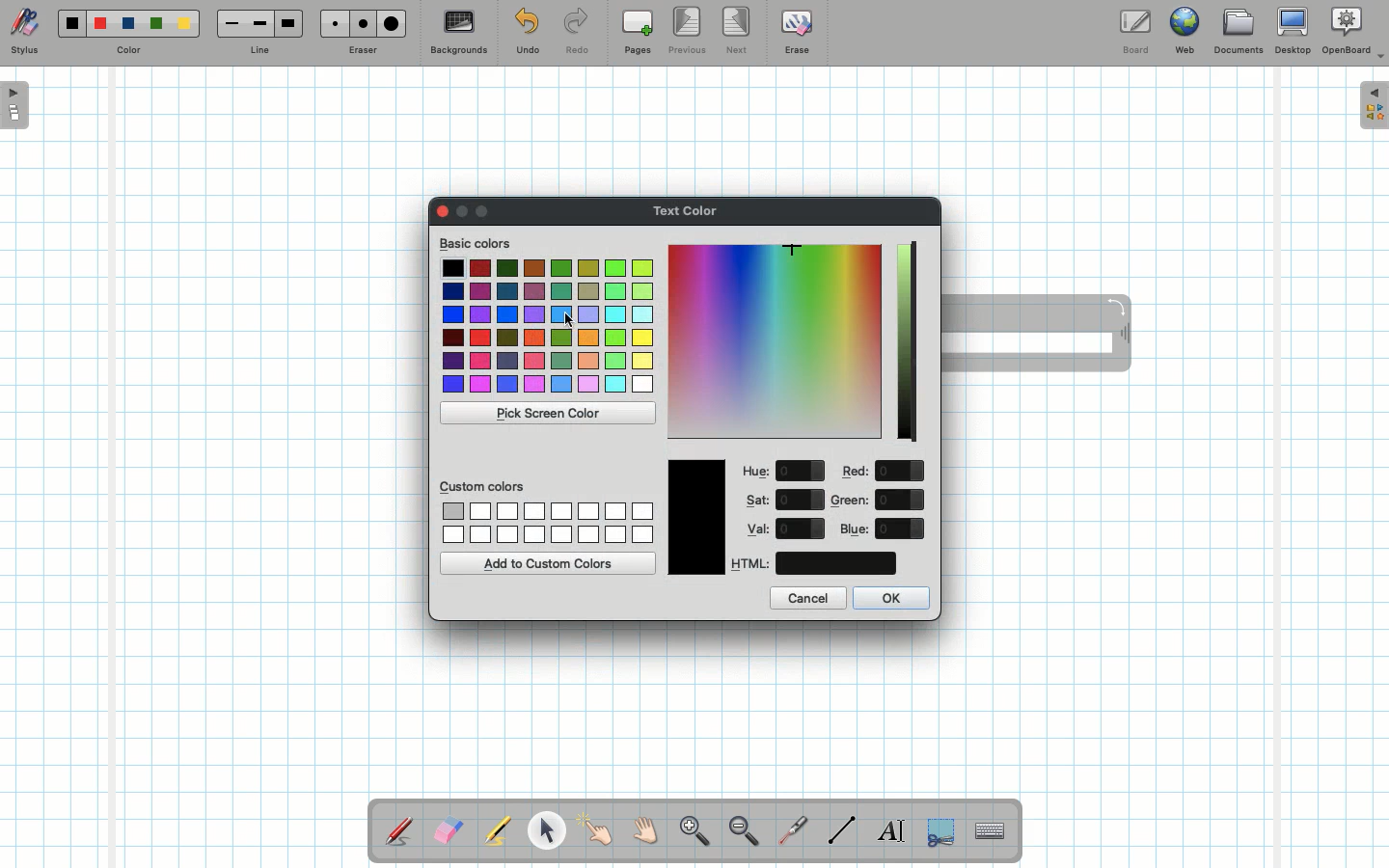 This screenshot has width=1389, height=868. Describe the element at coordinates (1184, 35) in the screenshot. I see `Web` at that location.